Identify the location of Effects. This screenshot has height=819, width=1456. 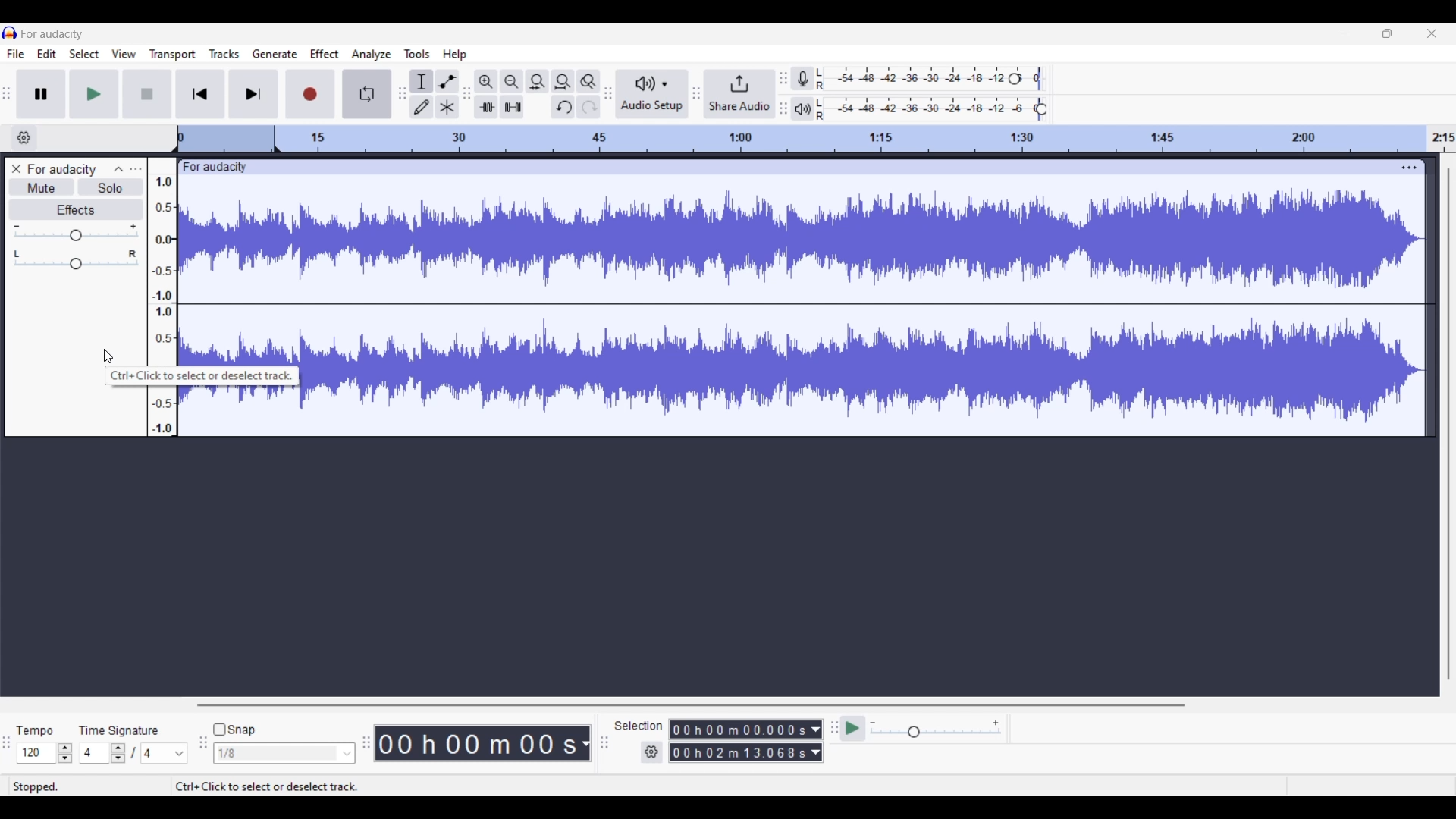
(76, 209).